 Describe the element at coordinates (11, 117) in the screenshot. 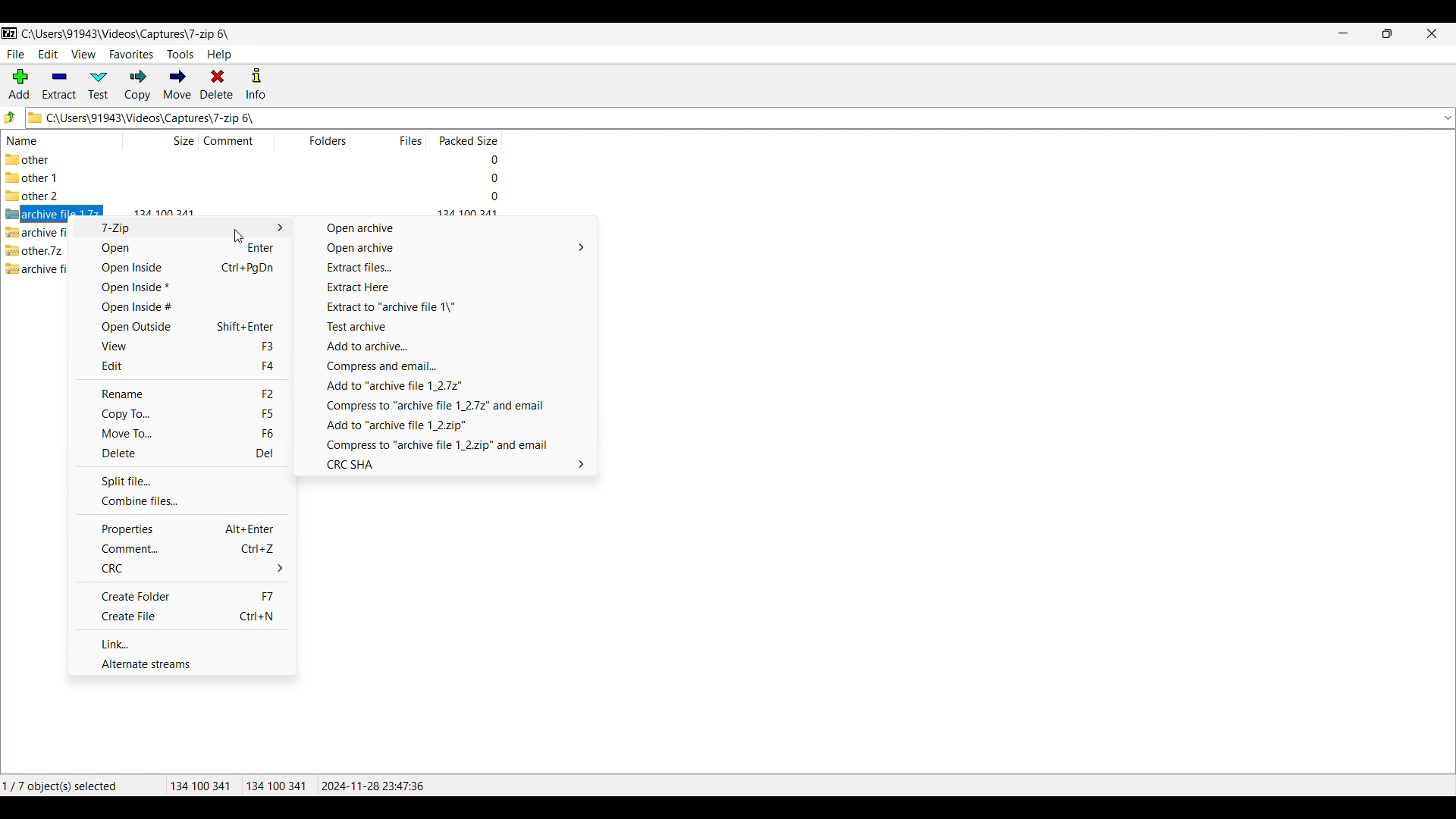

I see `Go to previous folder` at that location.